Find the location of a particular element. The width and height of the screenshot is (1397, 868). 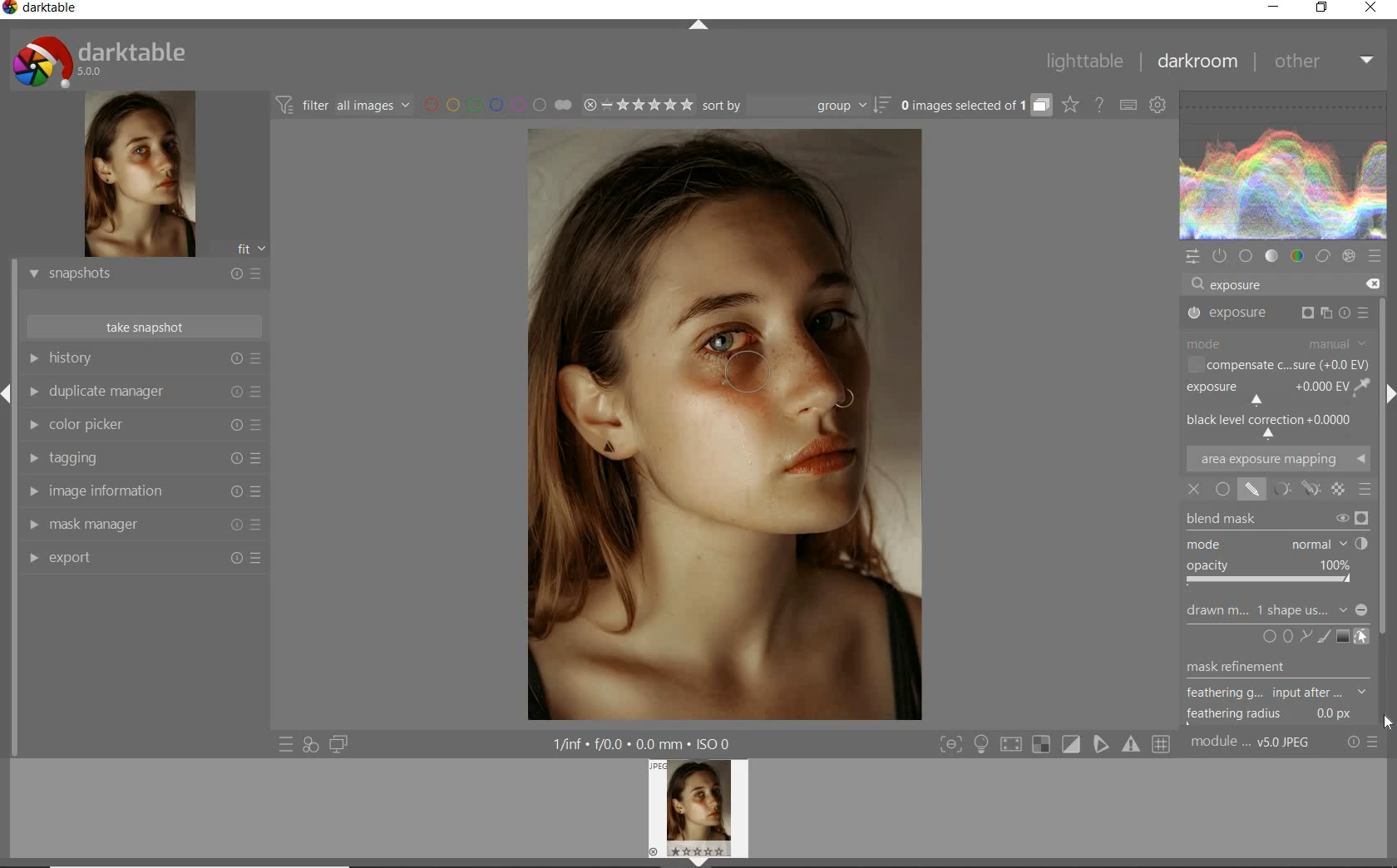

range rating of selected images is located at coordinates (639, 104).